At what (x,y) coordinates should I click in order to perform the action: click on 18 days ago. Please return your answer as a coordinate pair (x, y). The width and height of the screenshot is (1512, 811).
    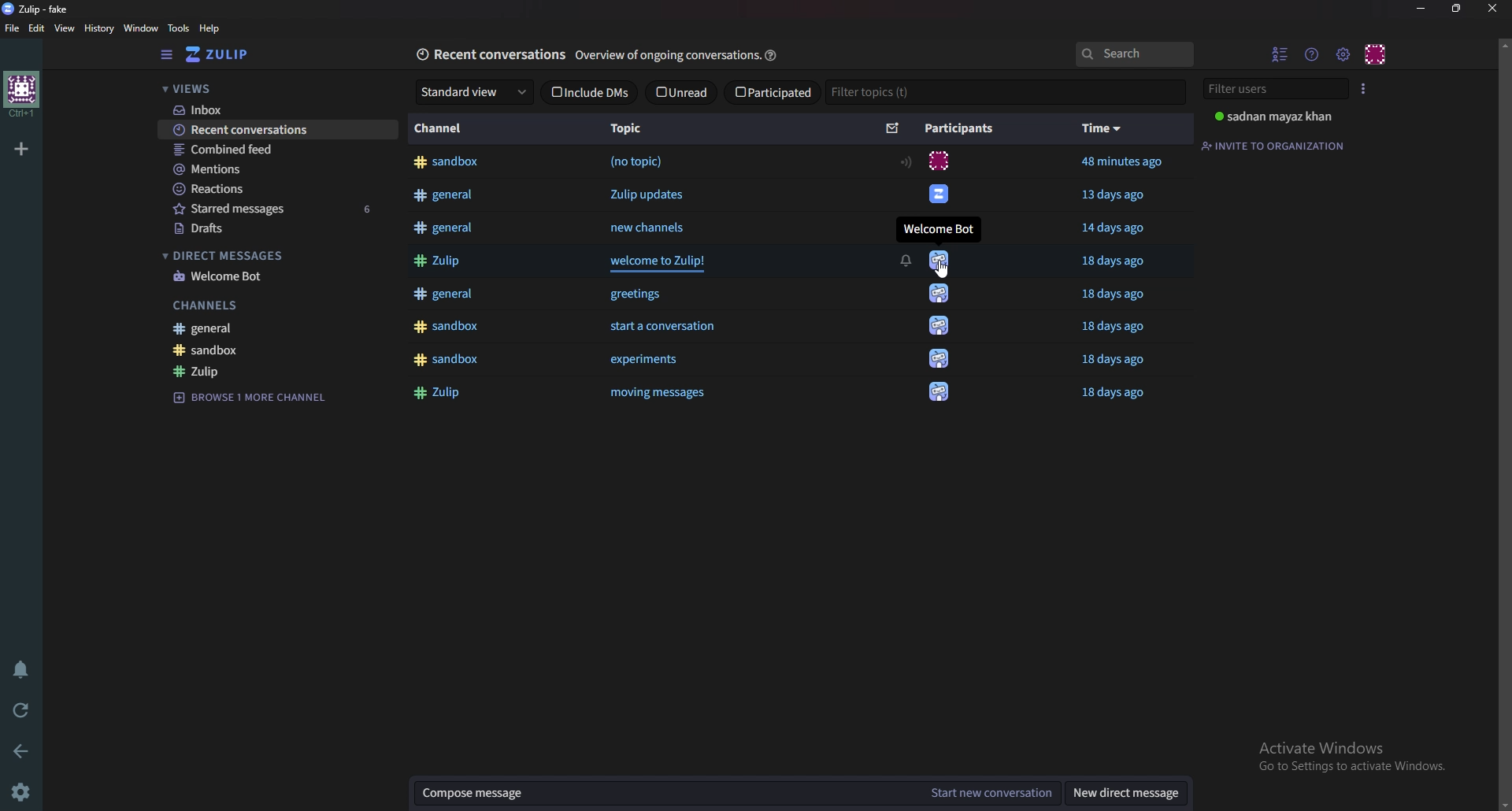
    Looking at the image, I should click on (1120, 393).